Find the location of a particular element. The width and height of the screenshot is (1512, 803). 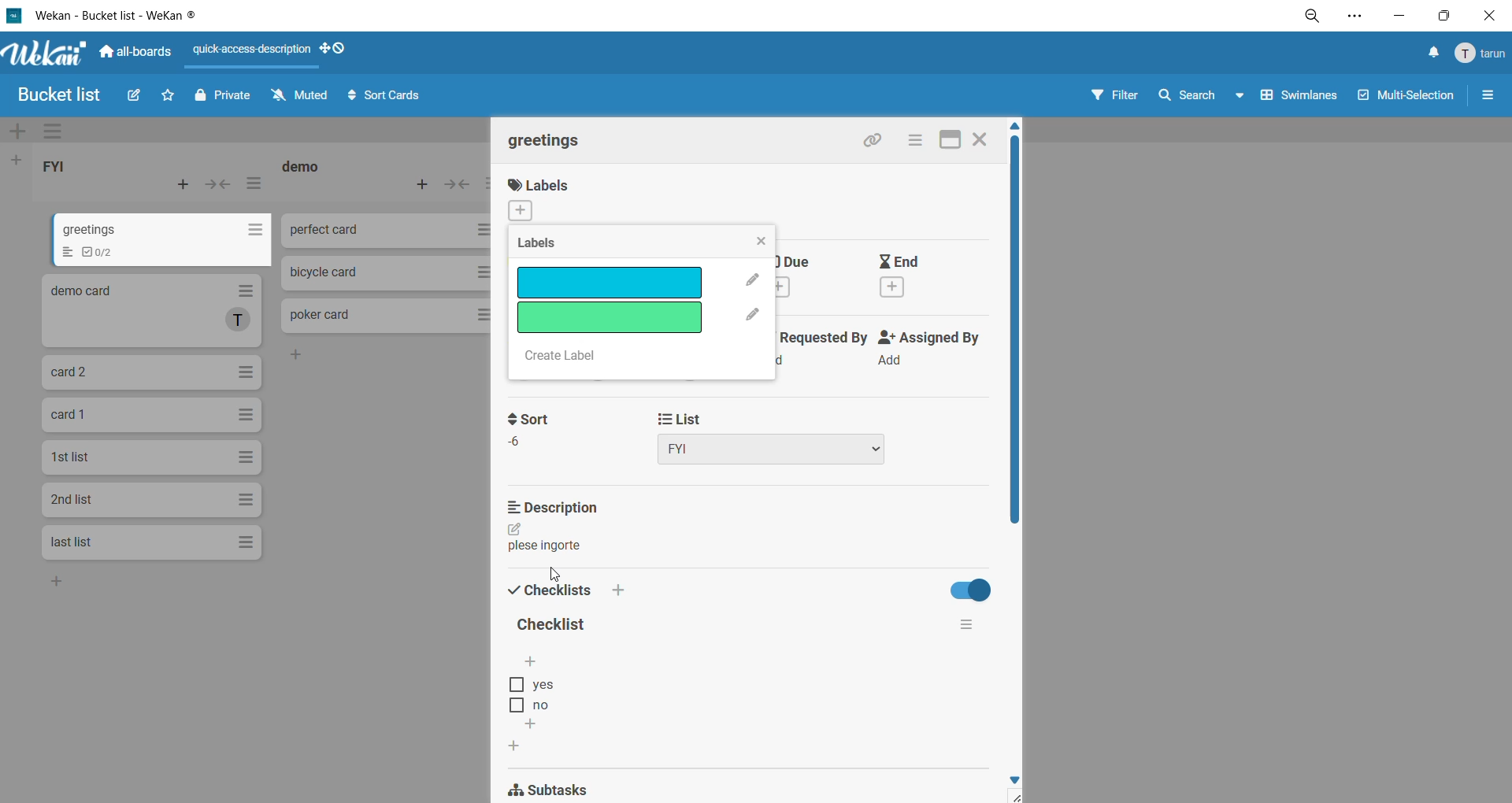

checklist option is located at coordinates (532, 707).